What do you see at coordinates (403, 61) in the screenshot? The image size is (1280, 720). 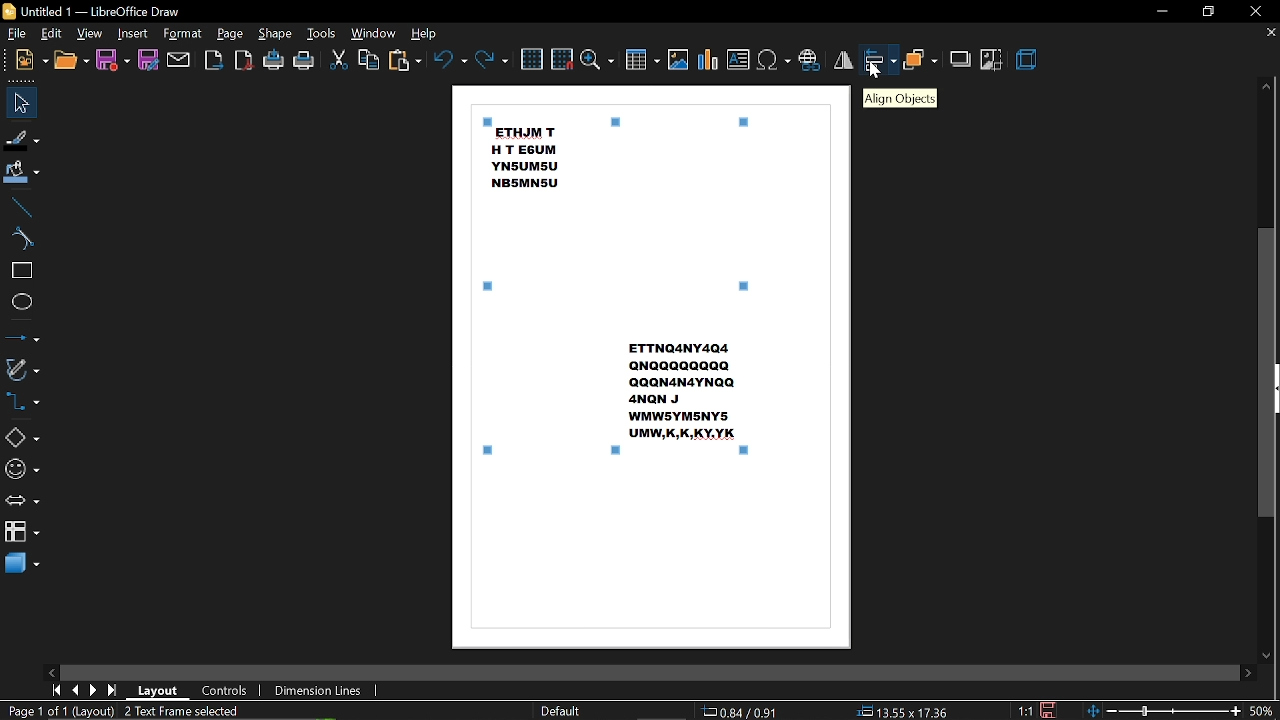 I see `paste` at bounding box center [403, 61].